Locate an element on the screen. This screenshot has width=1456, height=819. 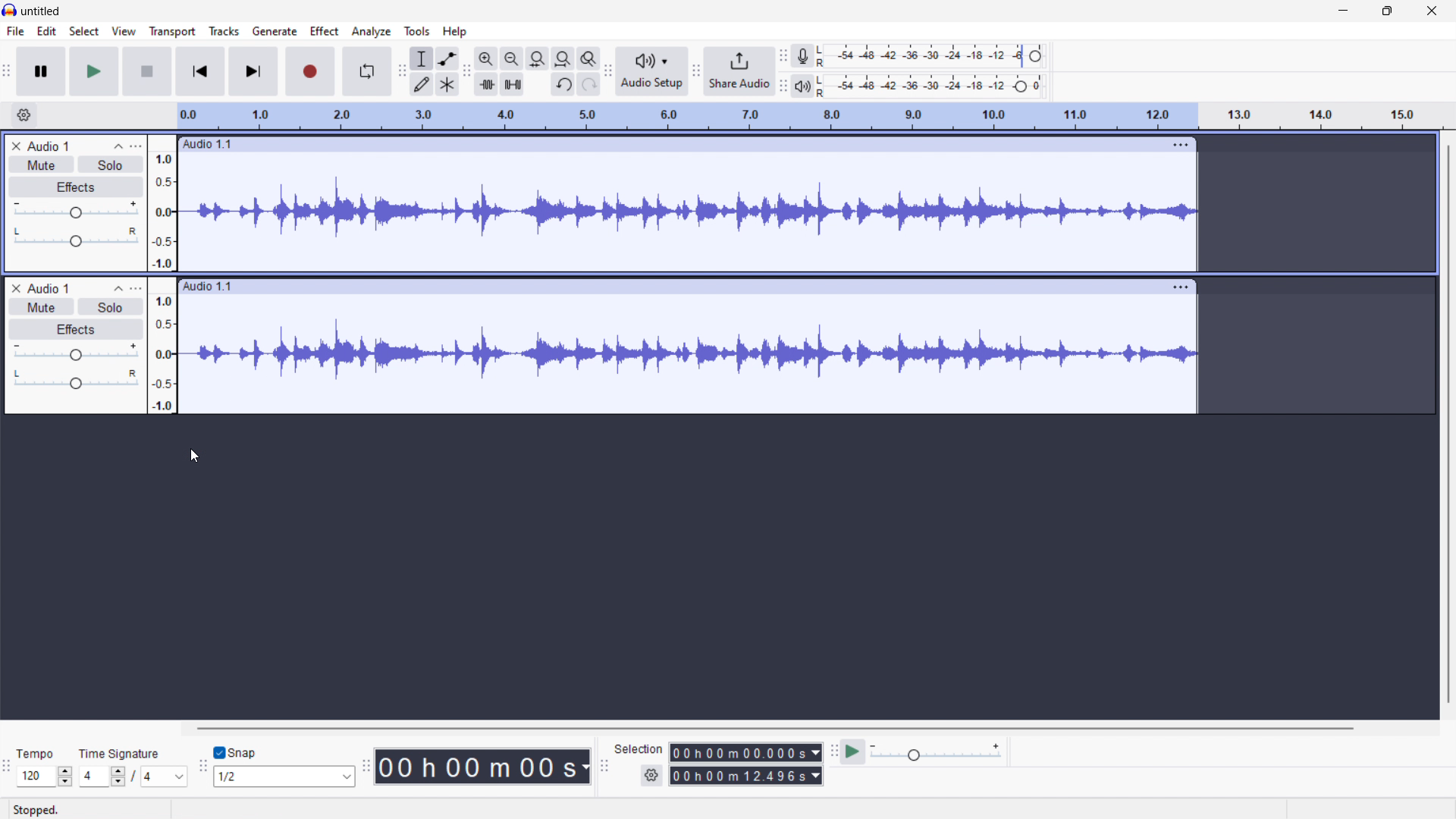
Drop down is located at coordinates (116, 777).